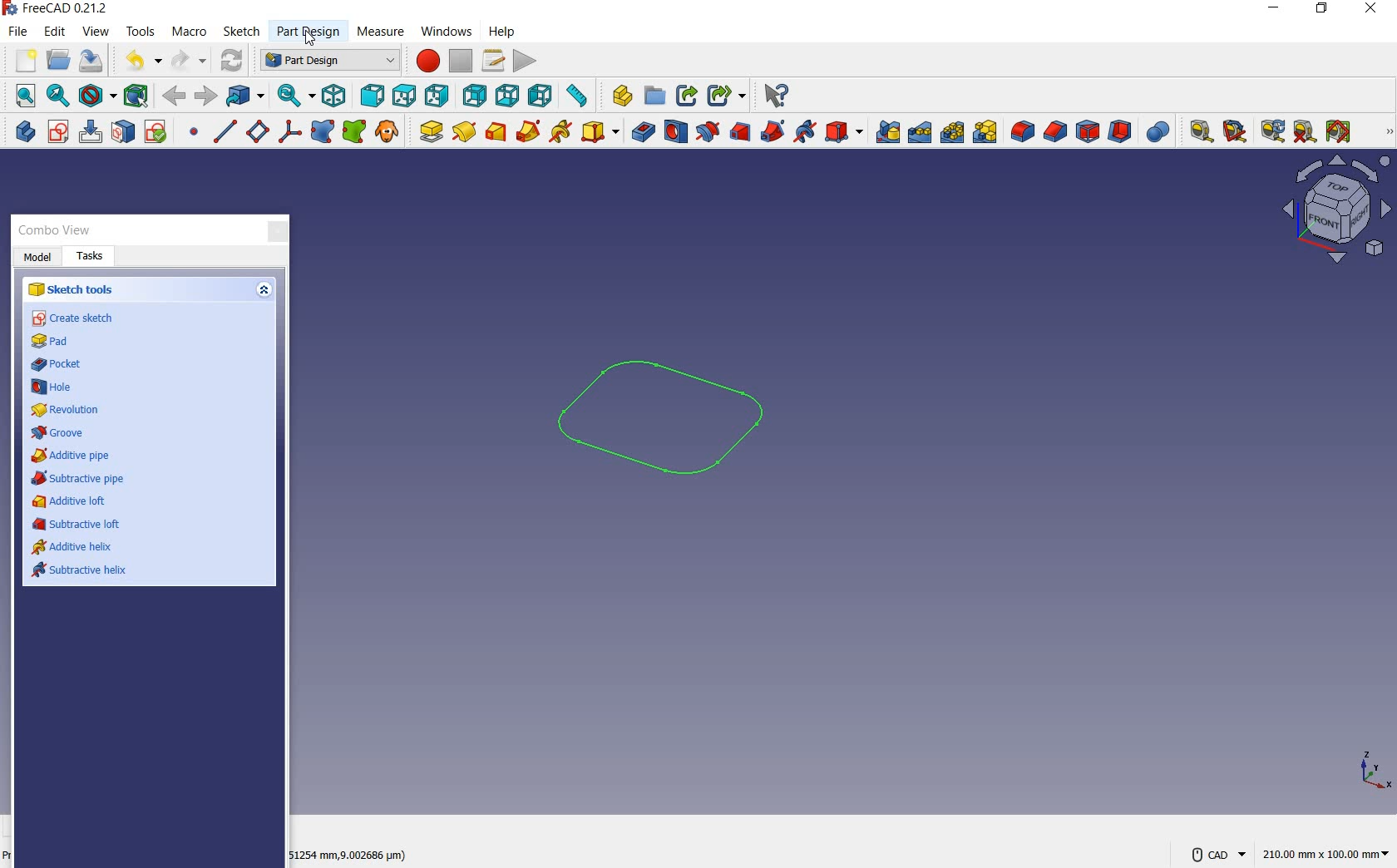 Image resolution: width=1397 pixels, height=868 pixels. What do you see at coordinates (542, 94) in the screenshot?
I see `left` at bounding box center [542, 94].